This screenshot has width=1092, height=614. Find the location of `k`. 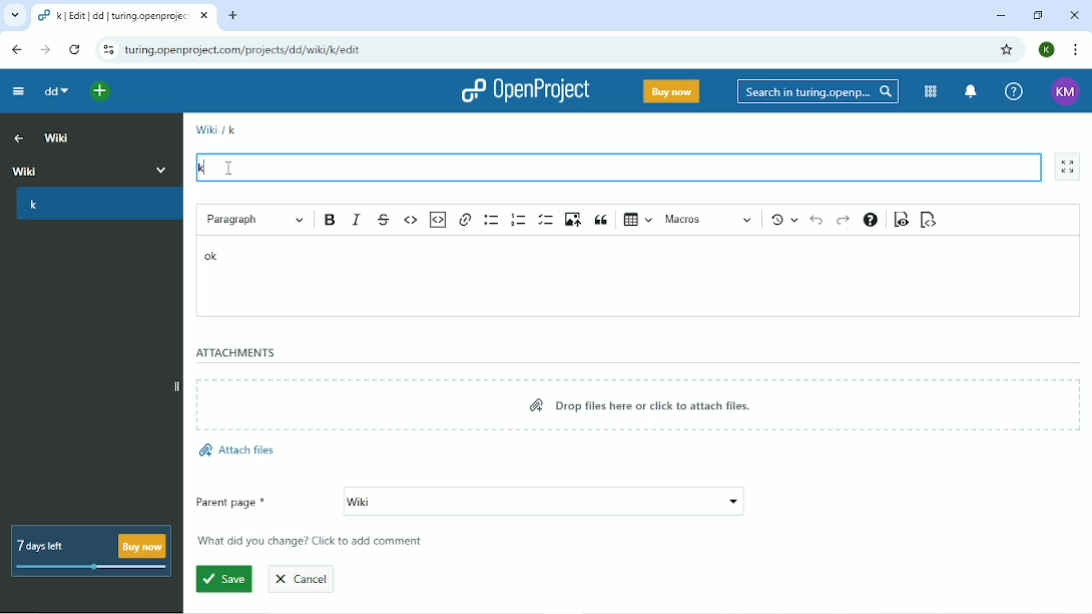

k is located at coordinates (200, 166).